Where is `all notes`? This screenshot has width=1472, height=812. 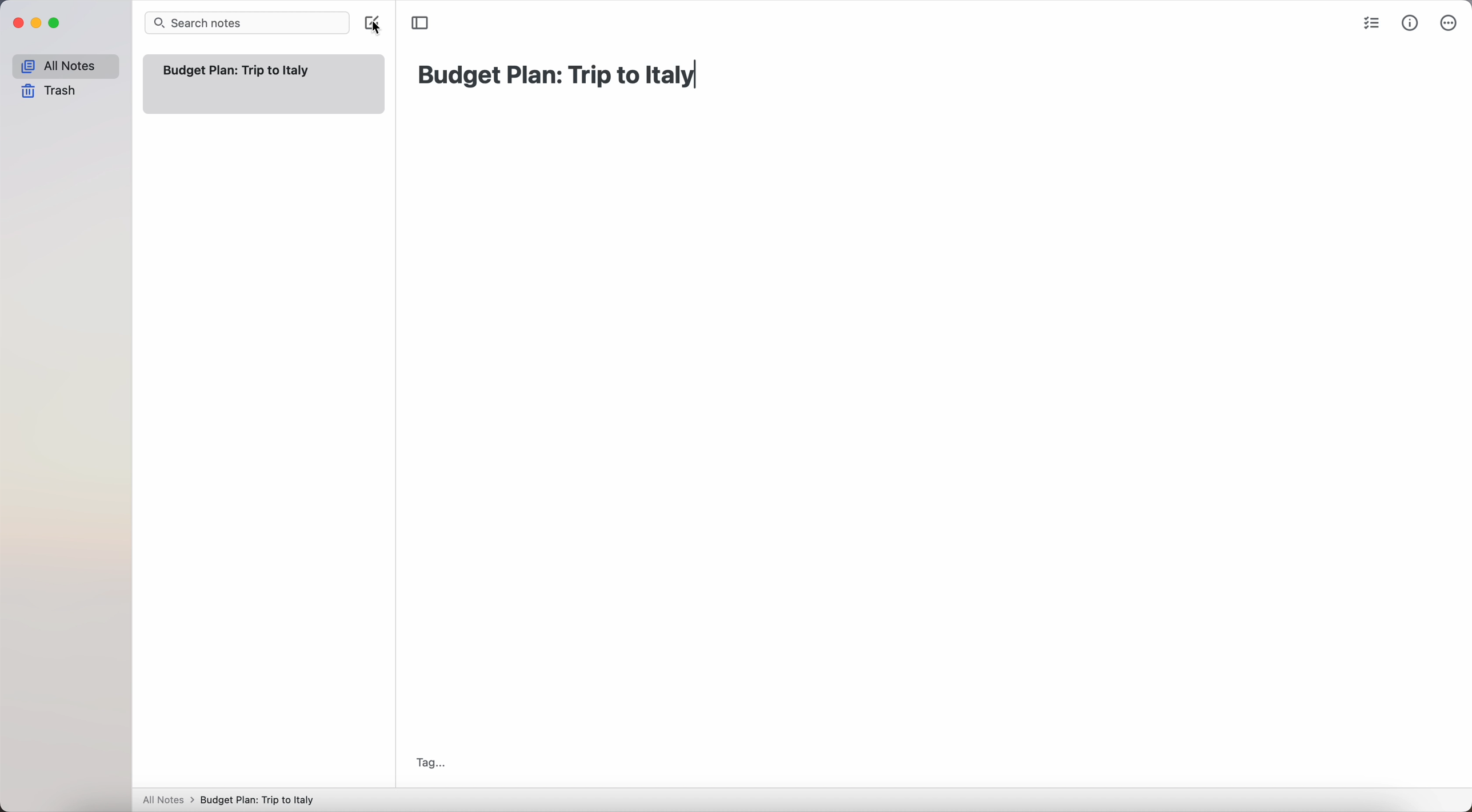 all notes is located at coordinates (65, 66).